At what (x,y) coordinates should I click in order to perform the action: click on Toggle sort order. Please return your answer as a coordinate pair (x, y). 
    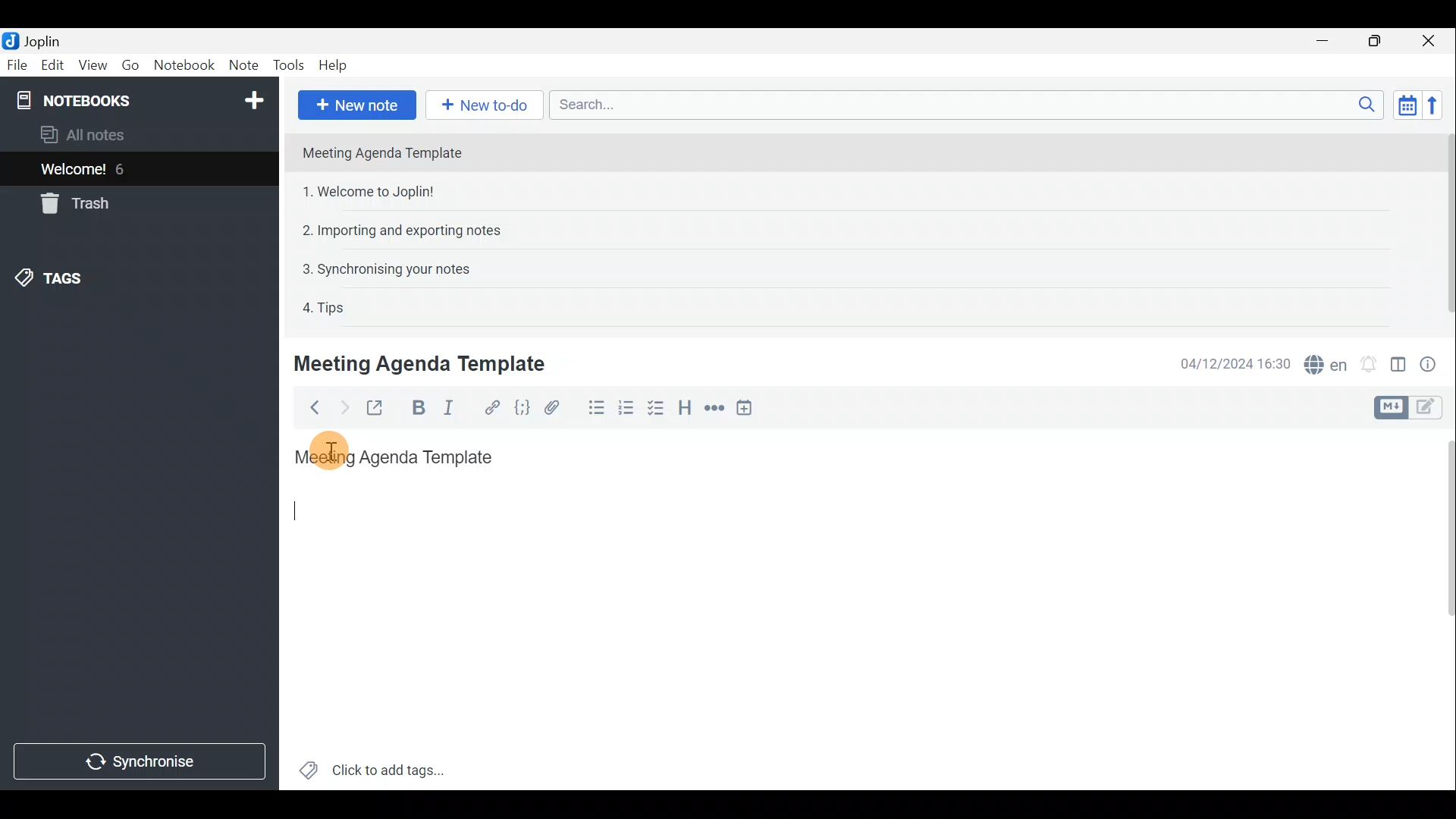
    Looking at the image, I should click on (1404, 103).